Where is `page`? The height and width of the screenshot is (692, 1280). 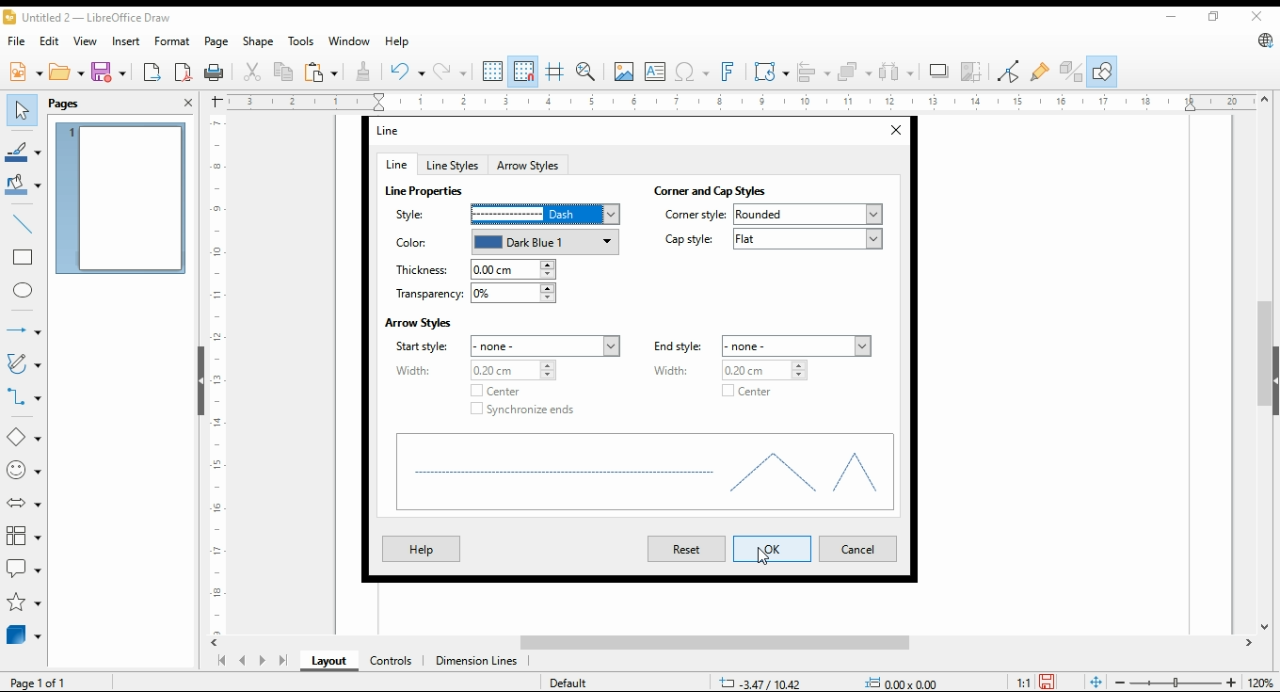 page is located at coordinates (219, 41).